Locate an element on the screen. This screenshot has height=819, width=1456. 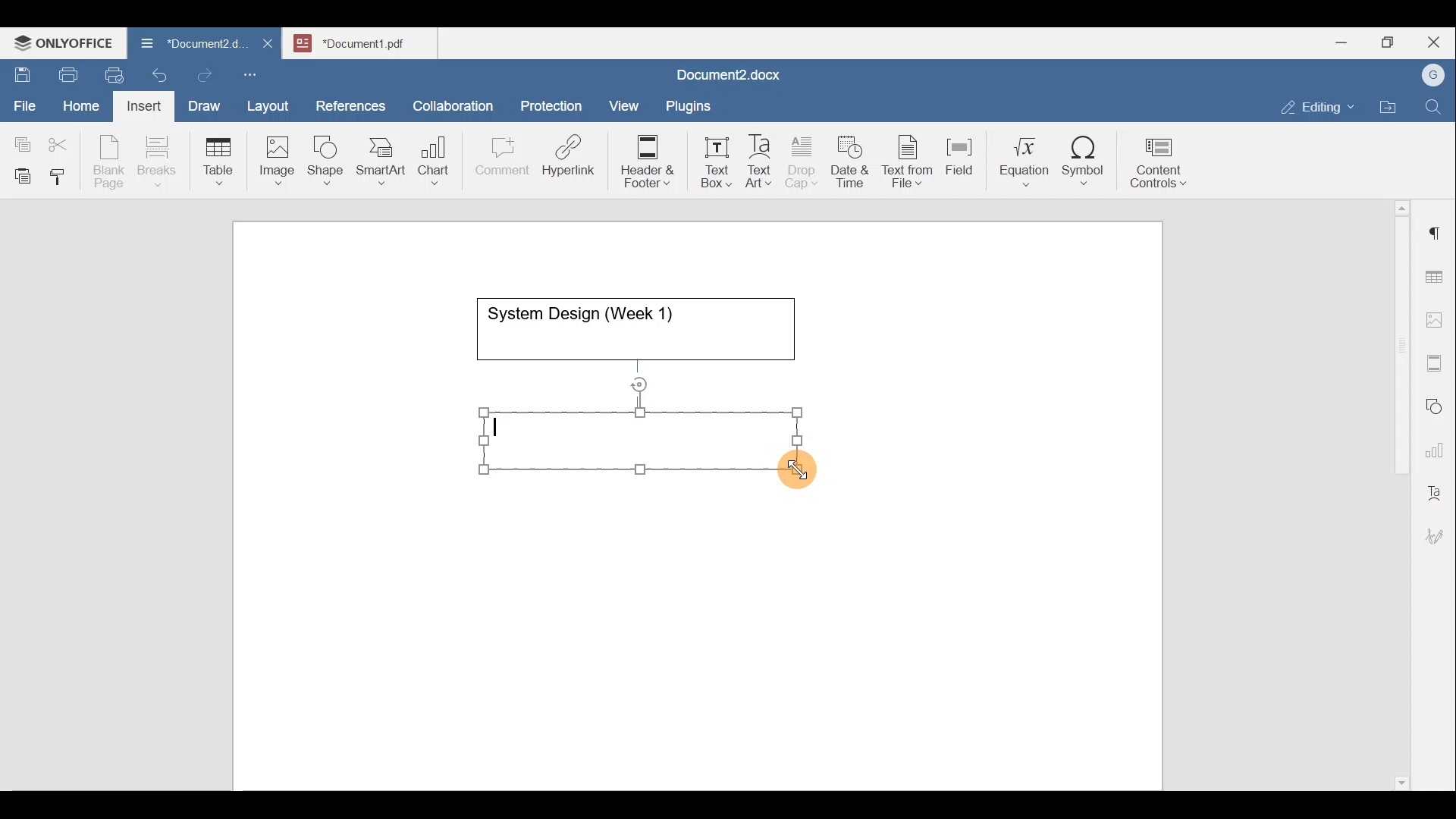
Paste is located at coordinates (19, 172).